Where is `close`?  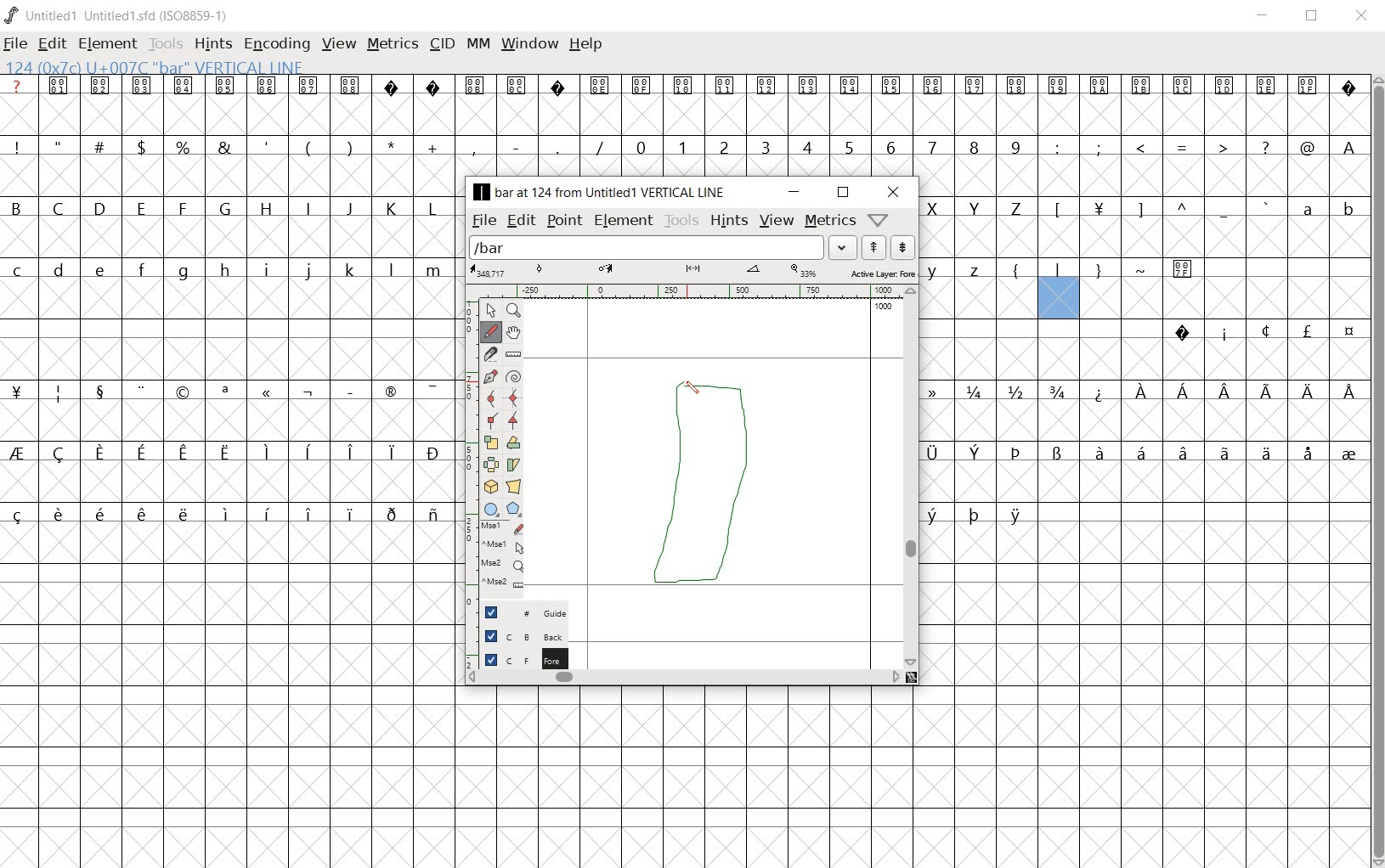
close is located at coordinates (895, 192).